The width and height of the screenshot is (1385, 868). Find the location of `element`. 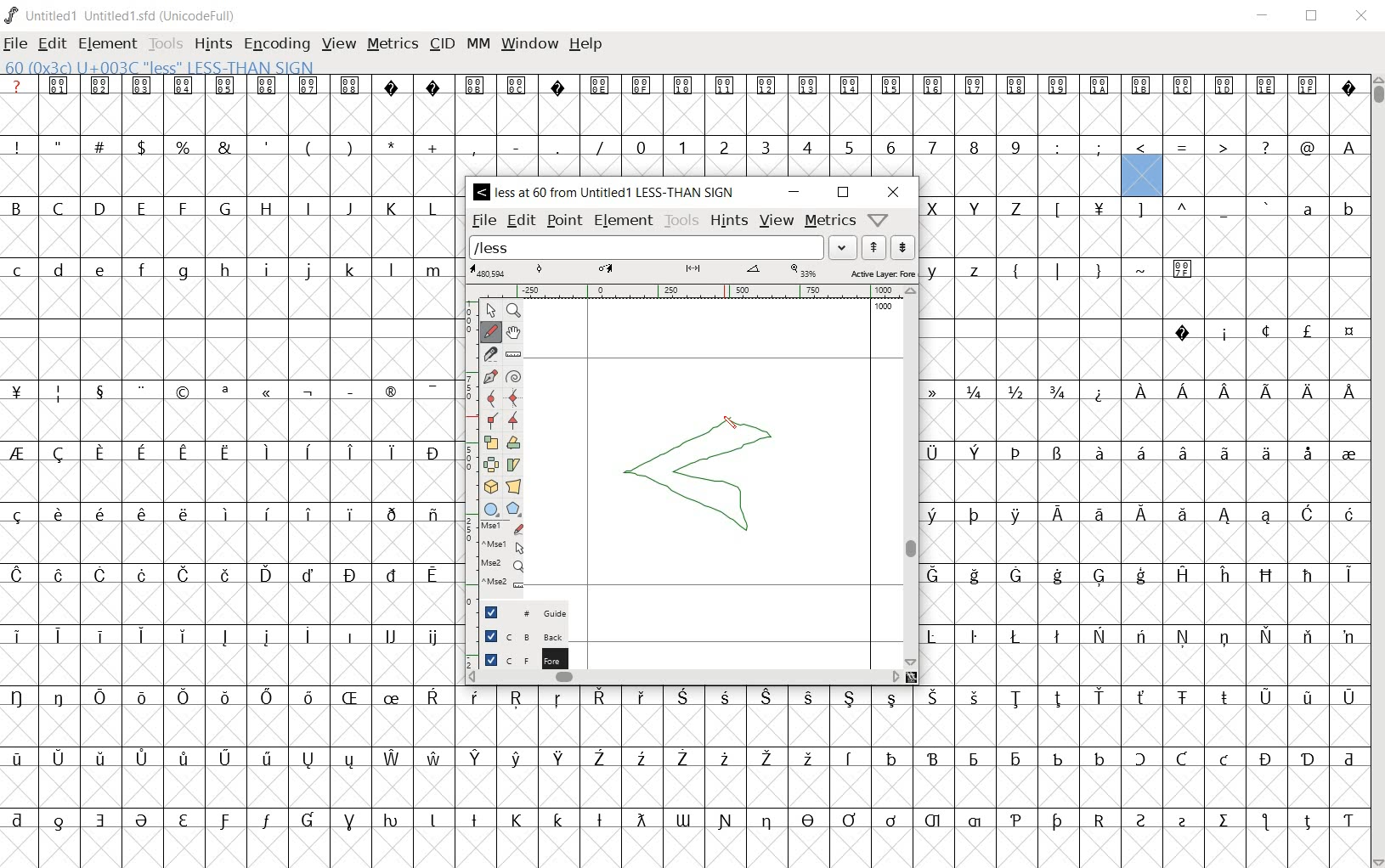

element is located at coordinates (108, 43).